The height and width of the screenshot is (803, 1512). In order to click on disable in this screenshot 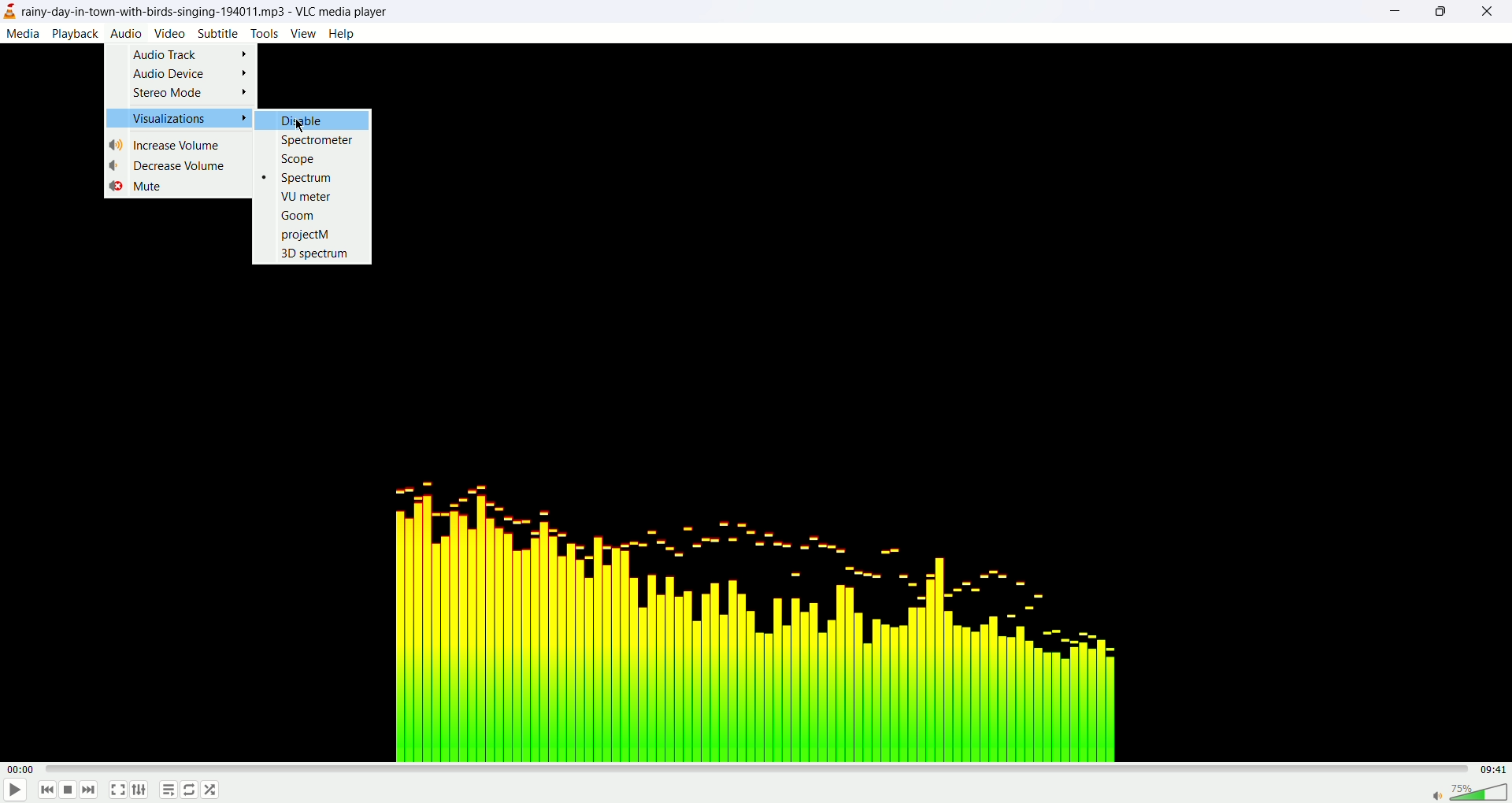, I will do `click(314, 120)`.